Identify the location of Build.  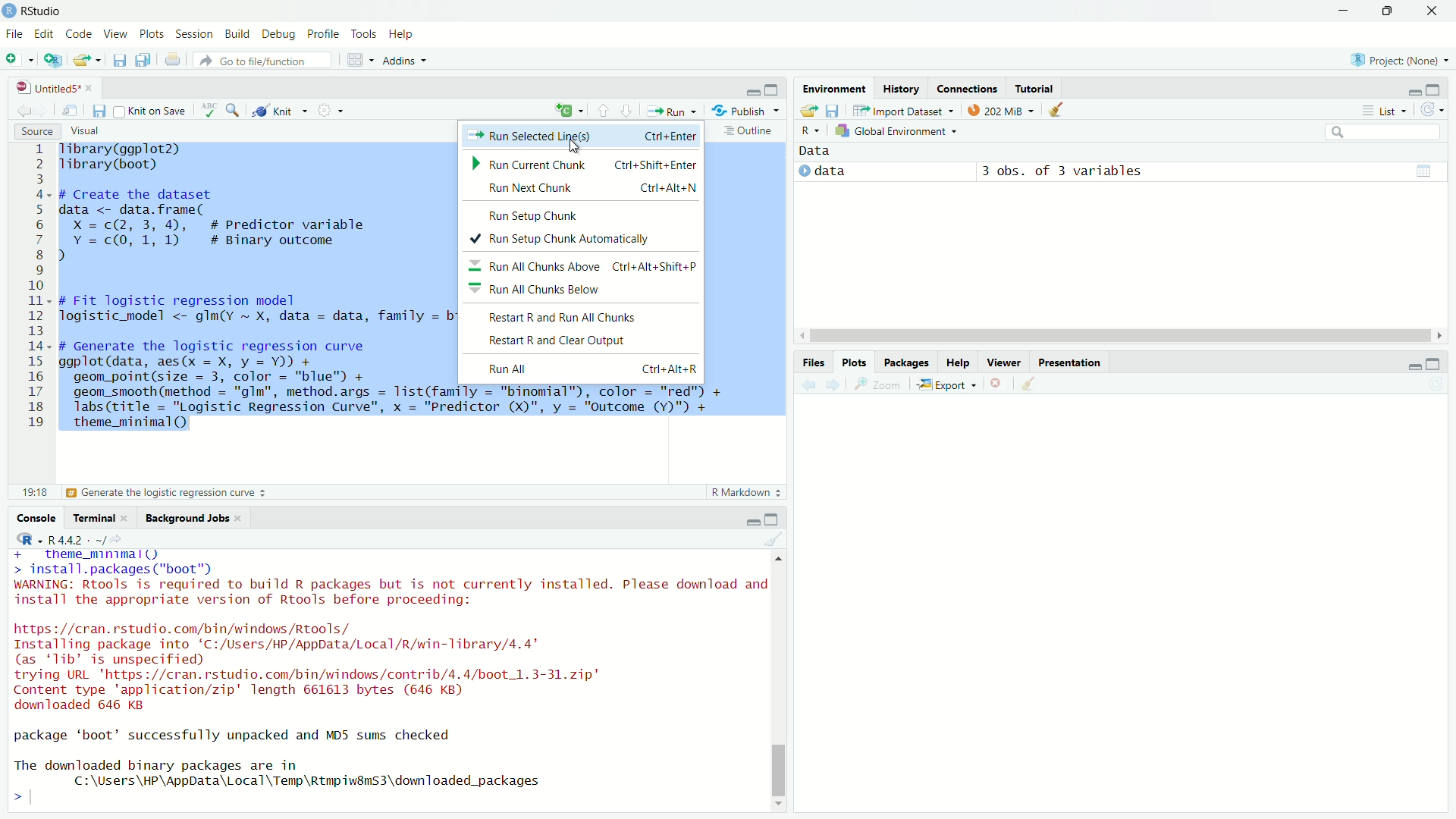
(237, 33).